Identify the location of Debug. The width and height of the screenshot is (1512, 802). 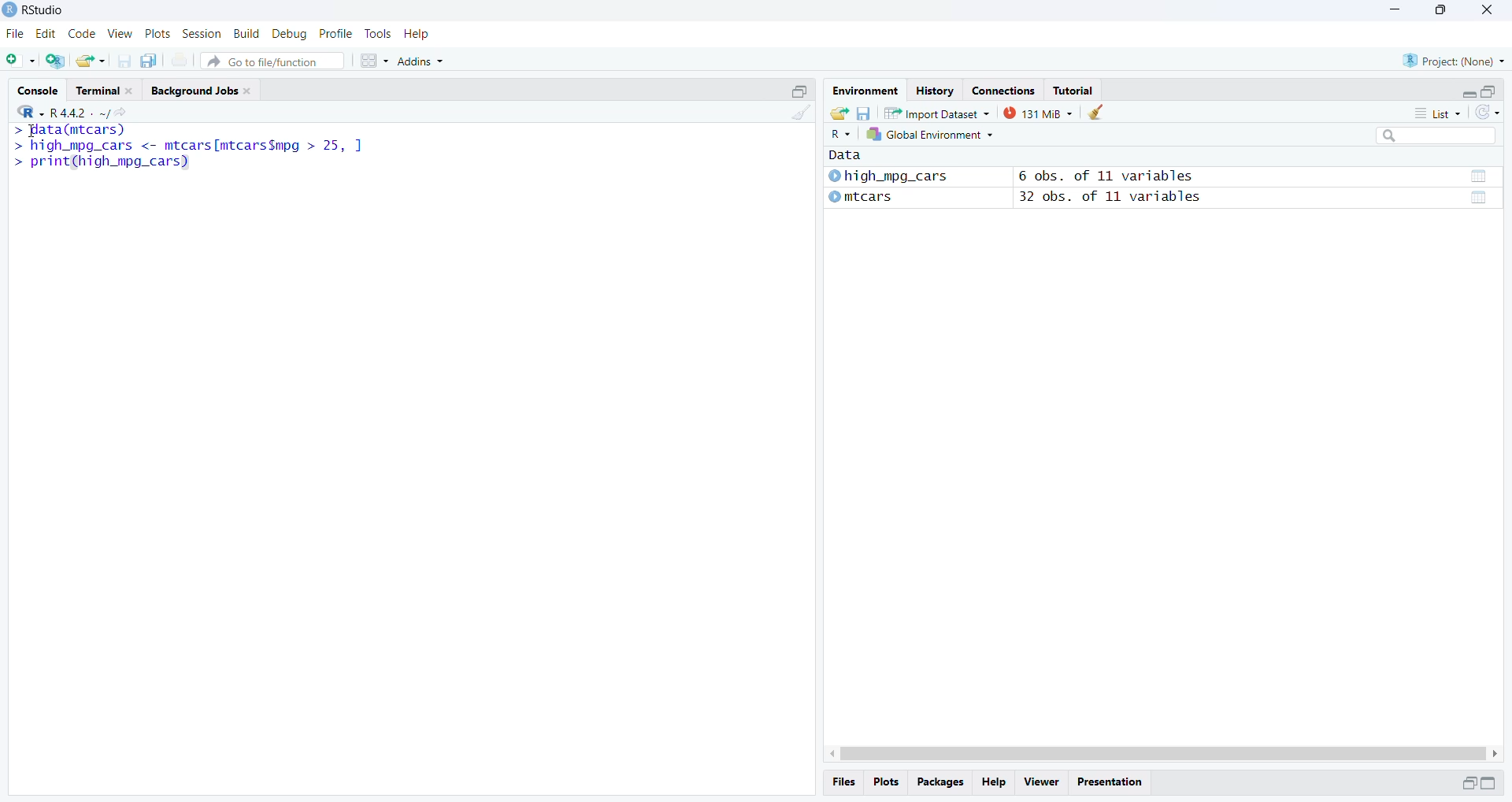
(291, 34).